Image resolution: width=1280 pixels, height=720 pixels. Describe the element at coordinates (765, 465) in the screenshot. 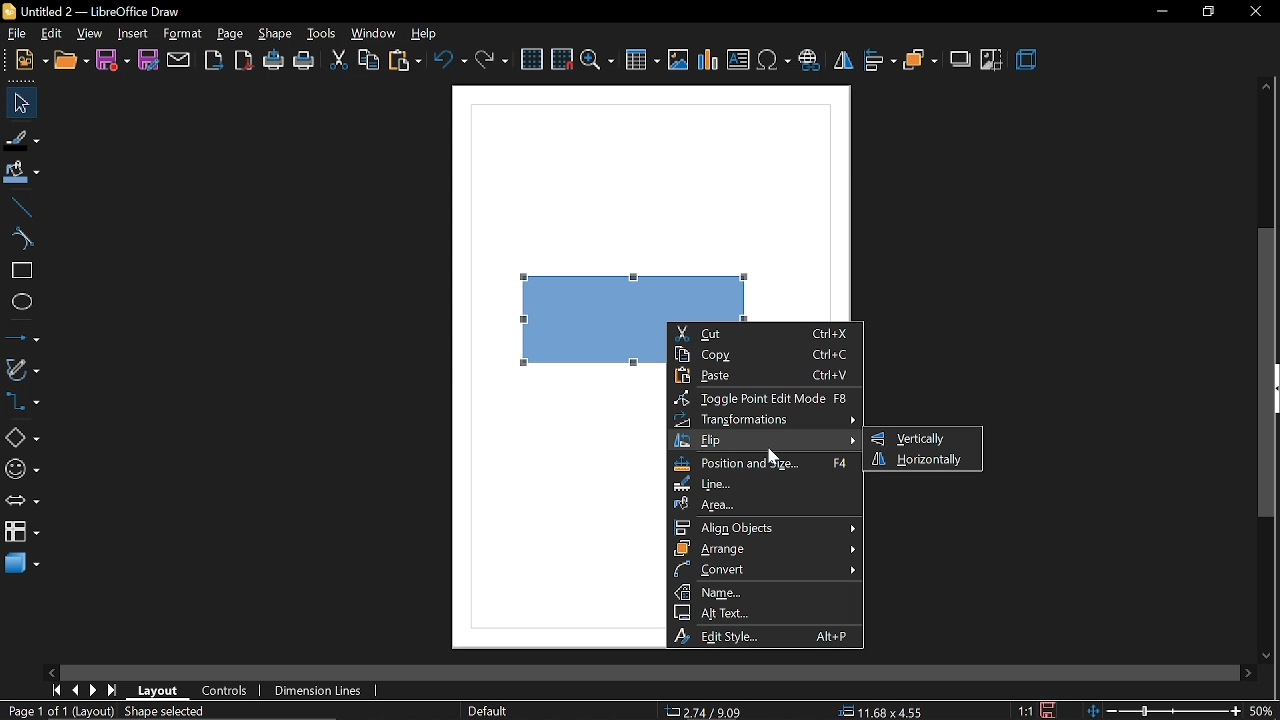

I see `position and size` at that location.